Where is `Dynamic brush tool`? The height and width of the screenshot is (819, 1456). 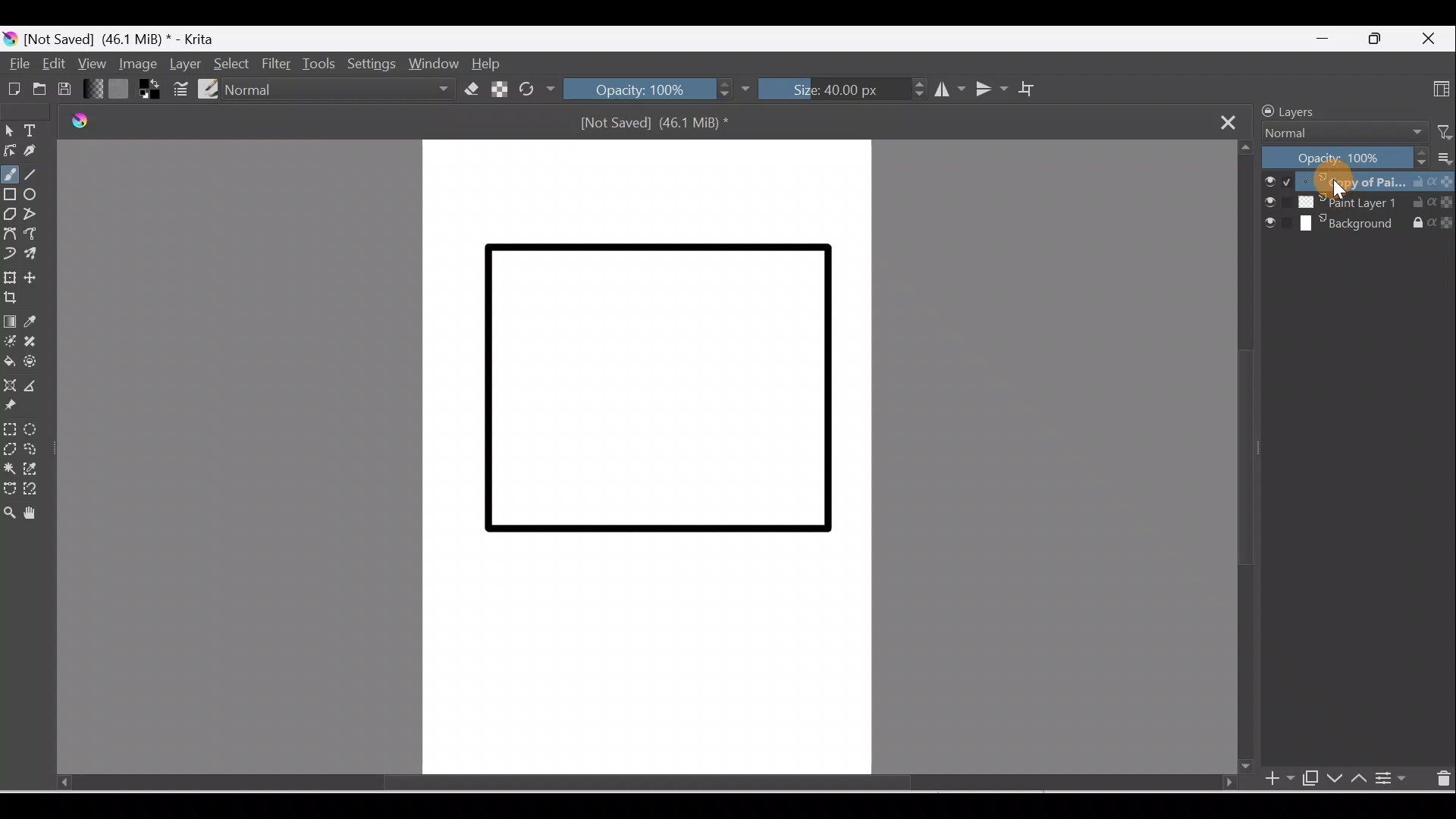
Dynamic brush tool is located at coordinates (9, 254).